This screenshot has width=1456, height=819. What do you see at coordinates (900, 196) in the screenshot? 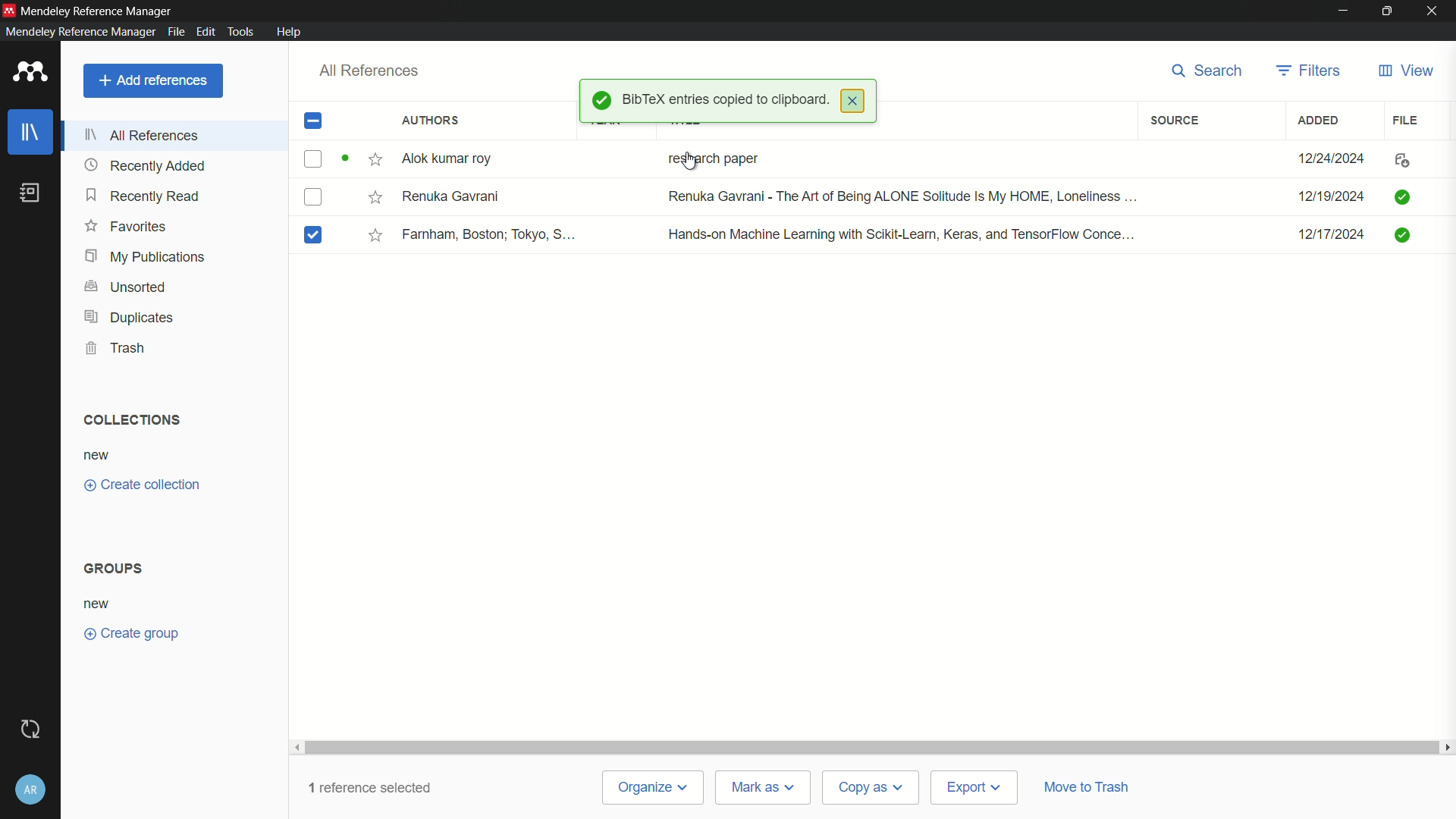
I see `Renuka Gavrani - The Art of Being ALONE Solitude is my HOME, Loneliness...` at bounding box center [900, 196].